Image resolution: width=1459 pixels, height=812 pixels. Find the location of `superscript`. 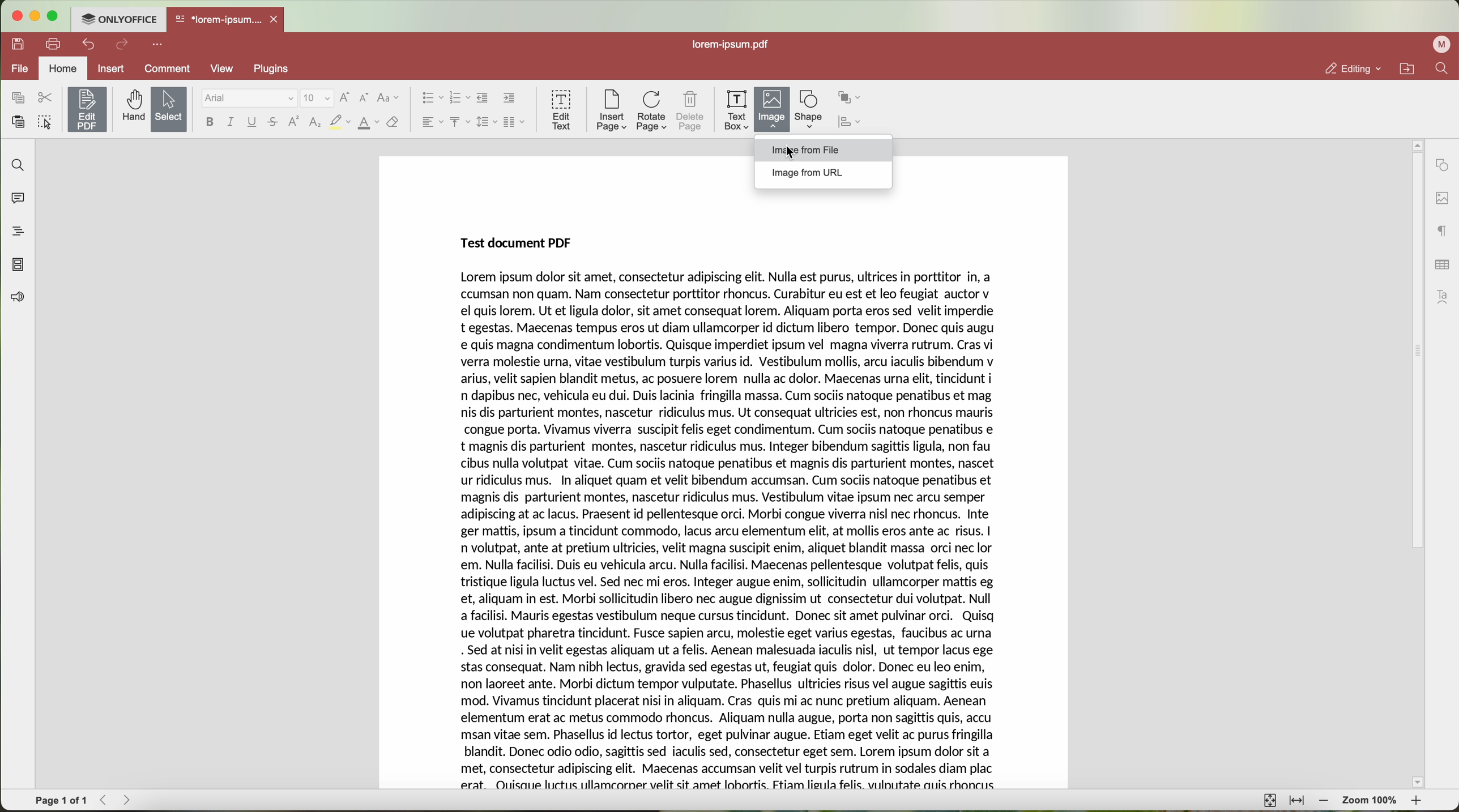

superscript is located at coordinates (295, 121).